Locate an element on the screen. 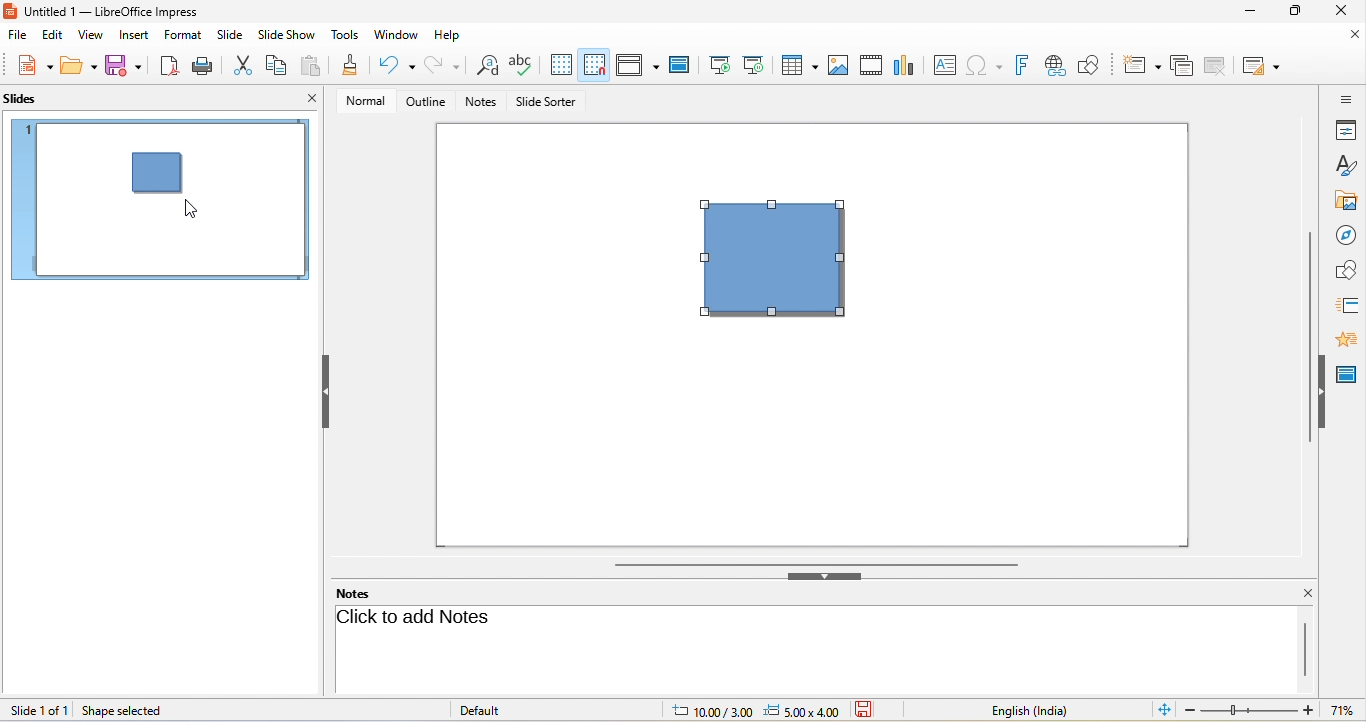  display view is located at coordinates (637, 64).